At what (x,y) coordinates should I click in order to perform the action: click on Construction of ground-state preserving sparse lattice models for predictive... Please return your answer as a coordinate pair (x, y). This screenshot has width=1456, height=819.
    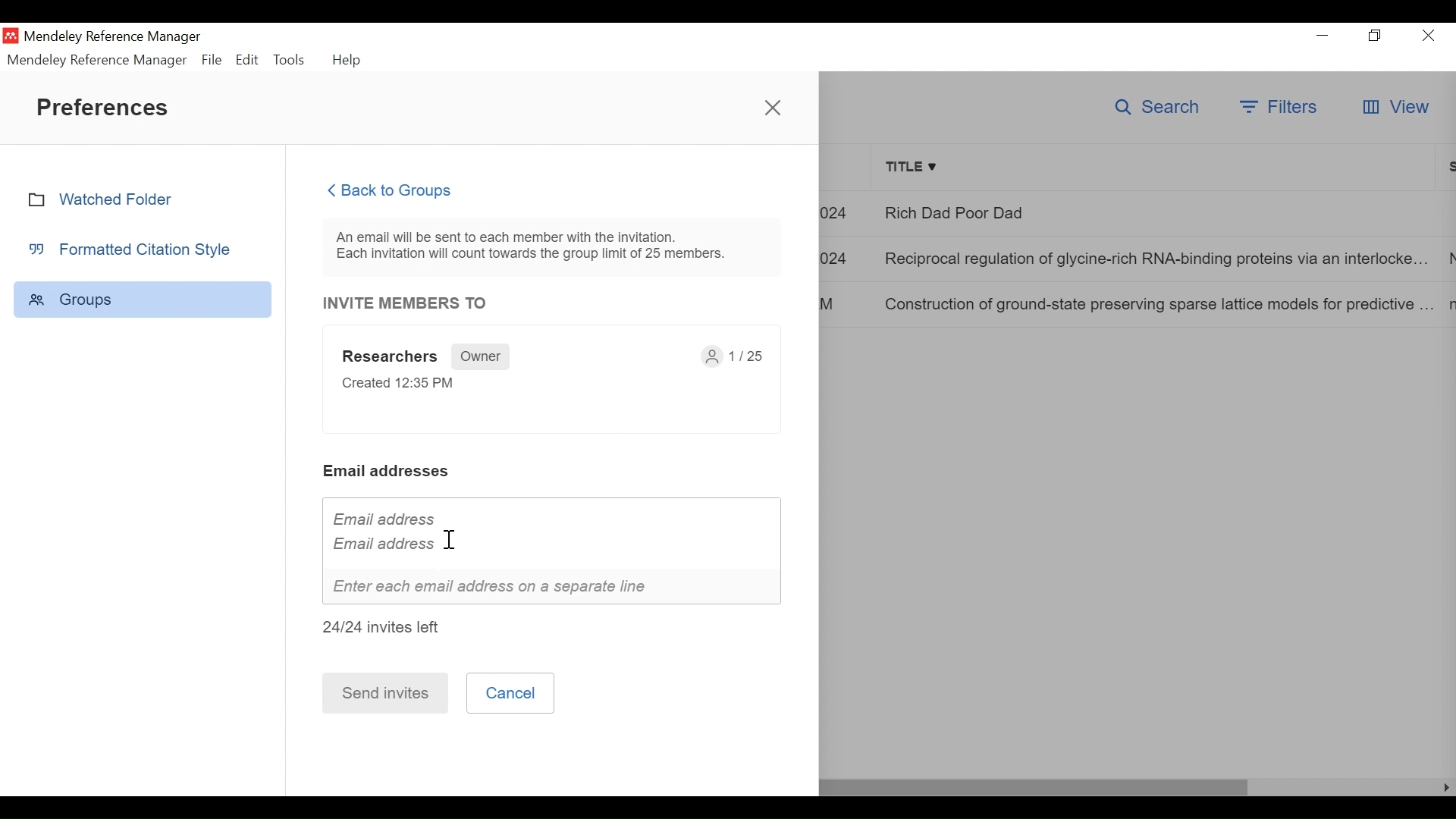
    Looking at the image, I should click on (1157, 303).